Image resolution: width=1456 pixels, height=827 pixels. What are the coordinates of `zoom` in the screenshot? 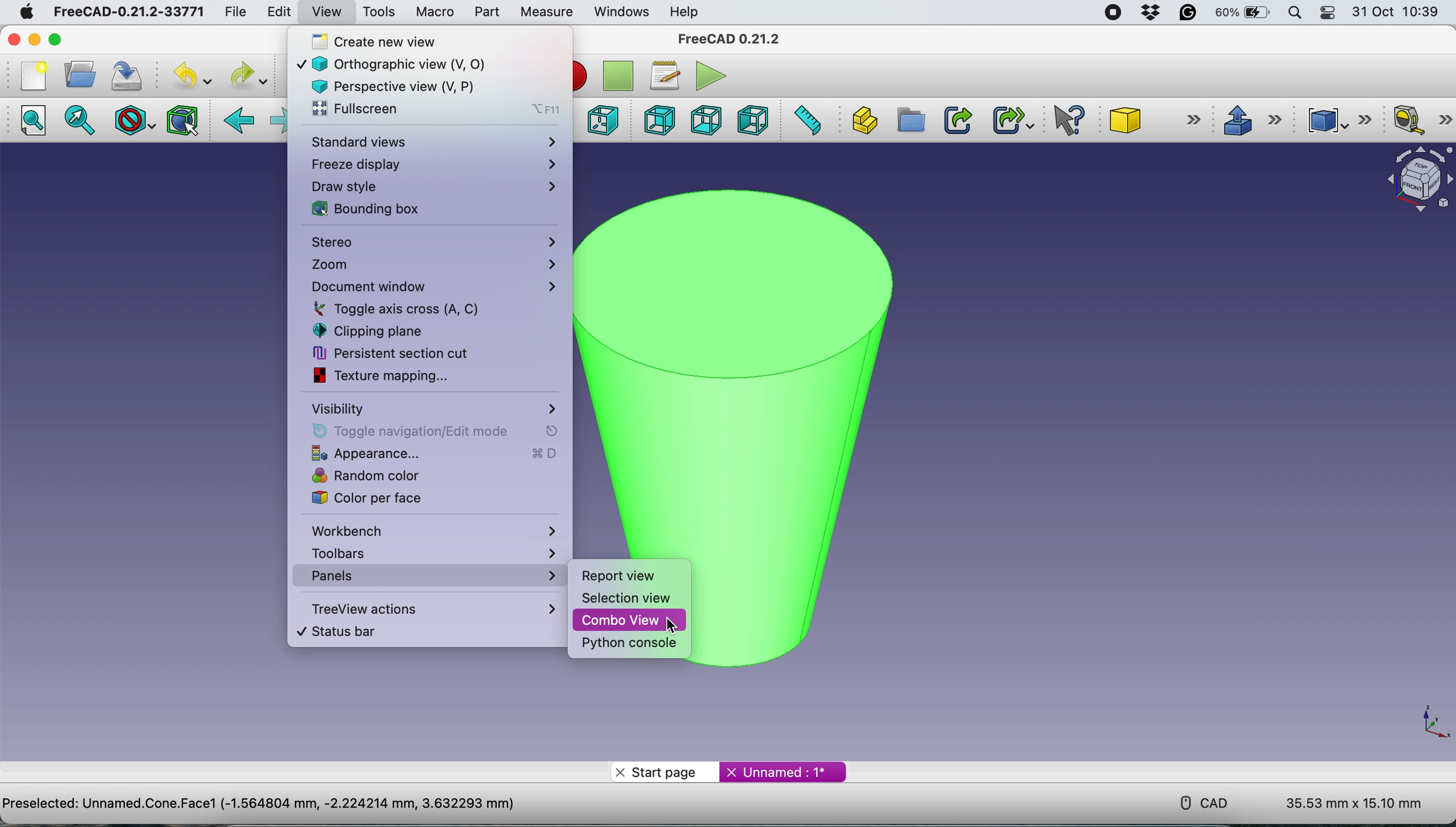 It's located at (432, 265).